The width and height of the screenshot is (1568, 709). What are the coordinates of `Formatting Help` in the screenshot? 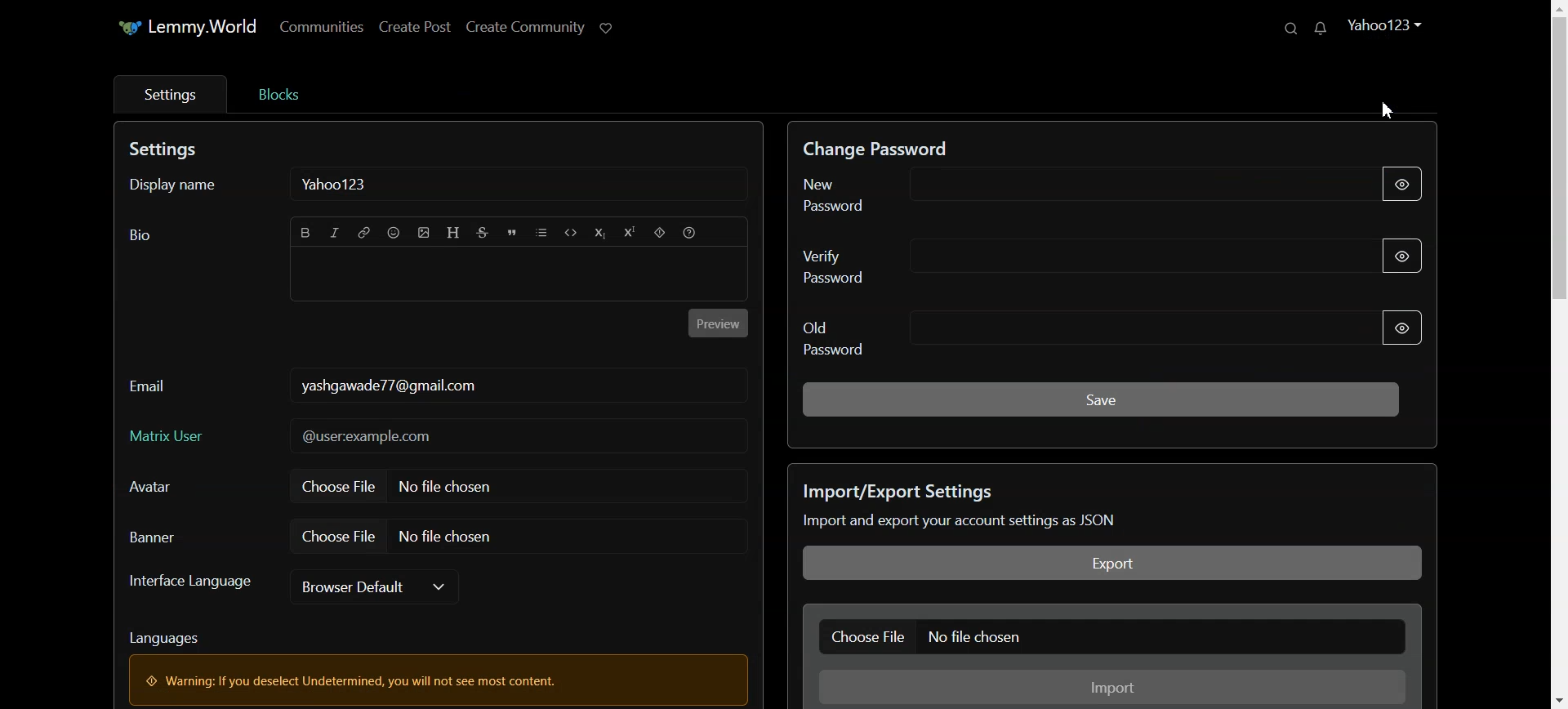 It's located at (691, 231).